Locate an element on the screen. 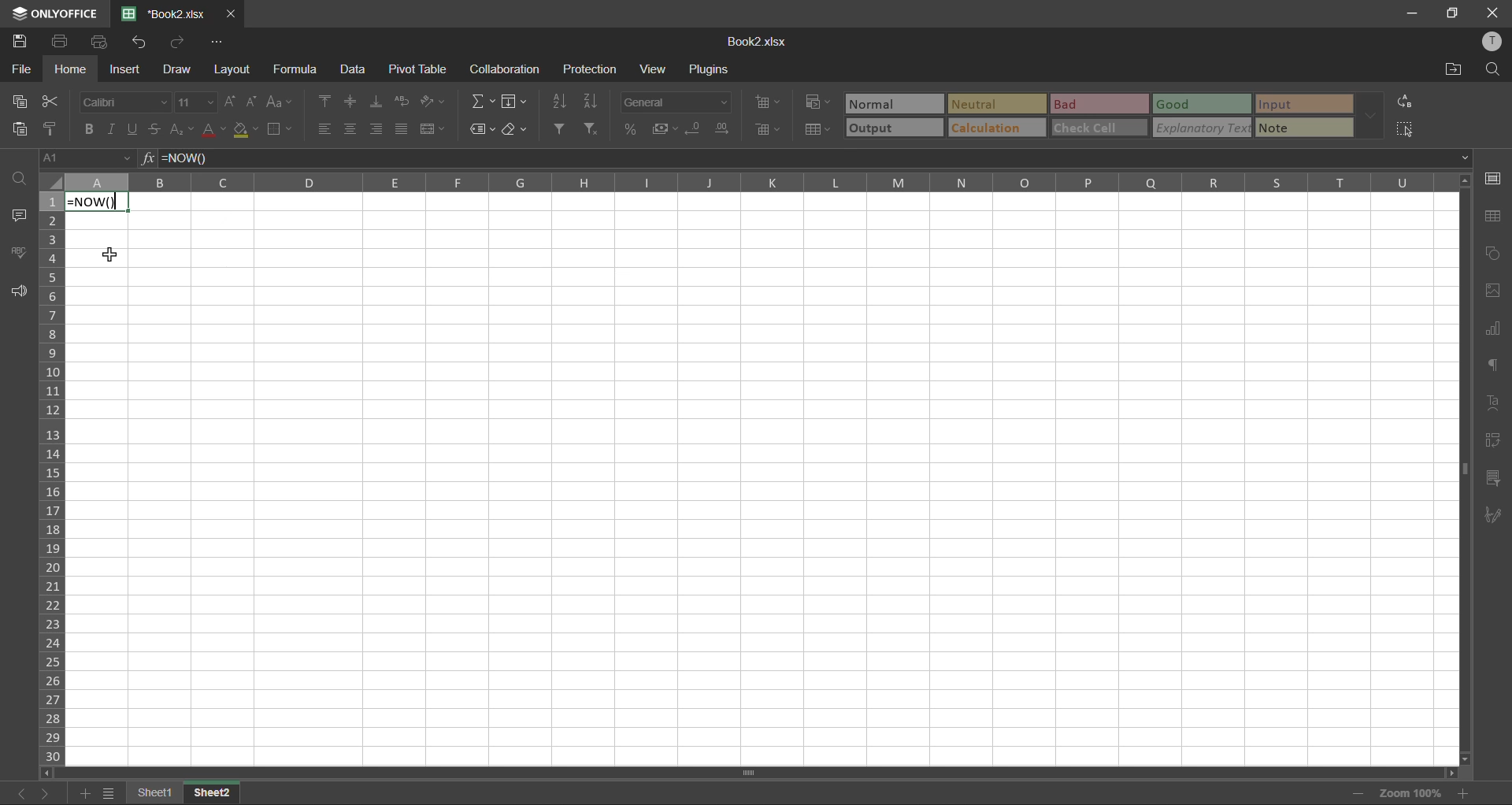  A1 is located at coordinates (76, 159).